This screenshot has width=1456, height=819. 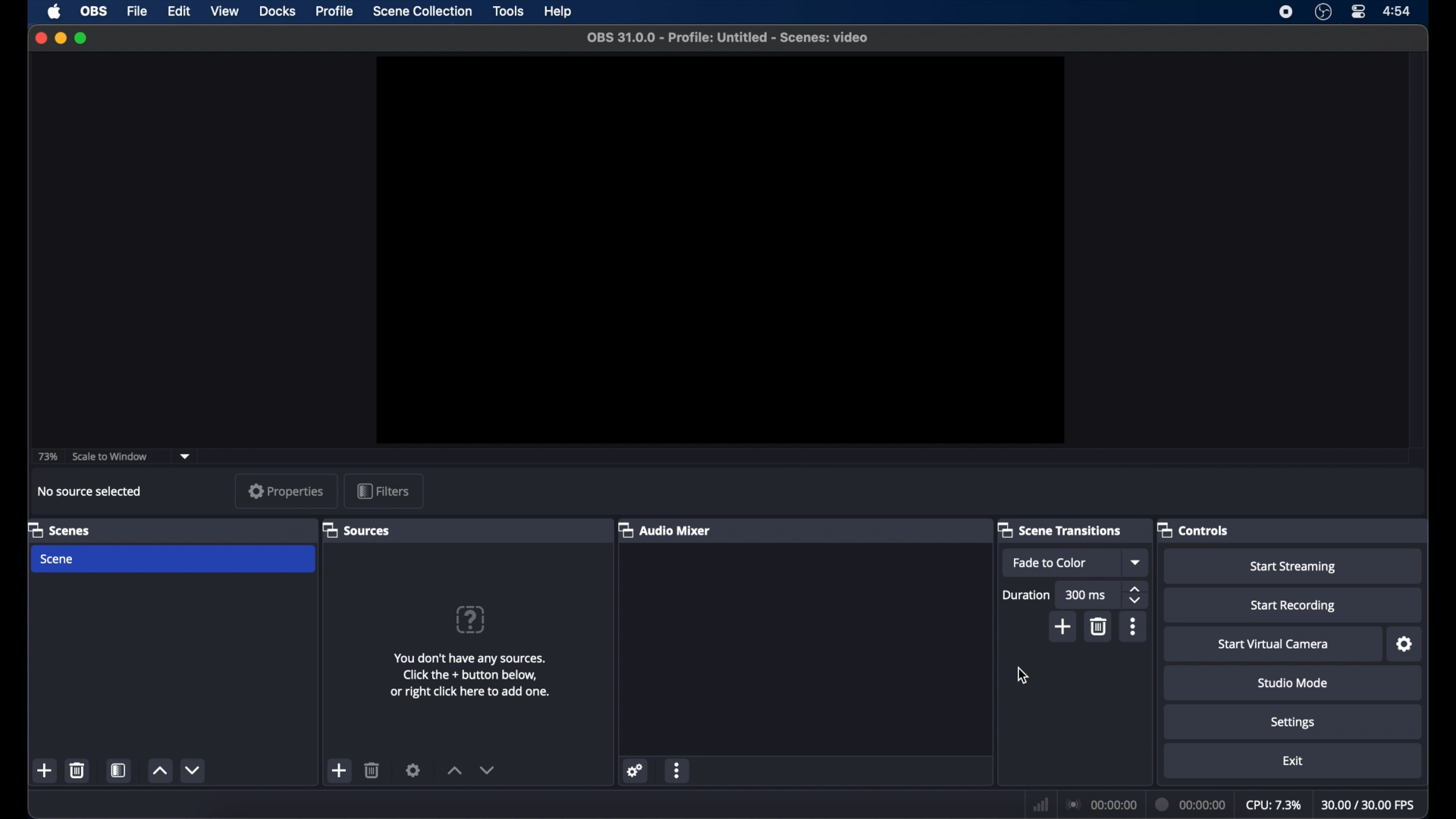 What do you see at coordinates (286, 491) in the screenshot?
I see `properties` at bounding box center [286, 491].